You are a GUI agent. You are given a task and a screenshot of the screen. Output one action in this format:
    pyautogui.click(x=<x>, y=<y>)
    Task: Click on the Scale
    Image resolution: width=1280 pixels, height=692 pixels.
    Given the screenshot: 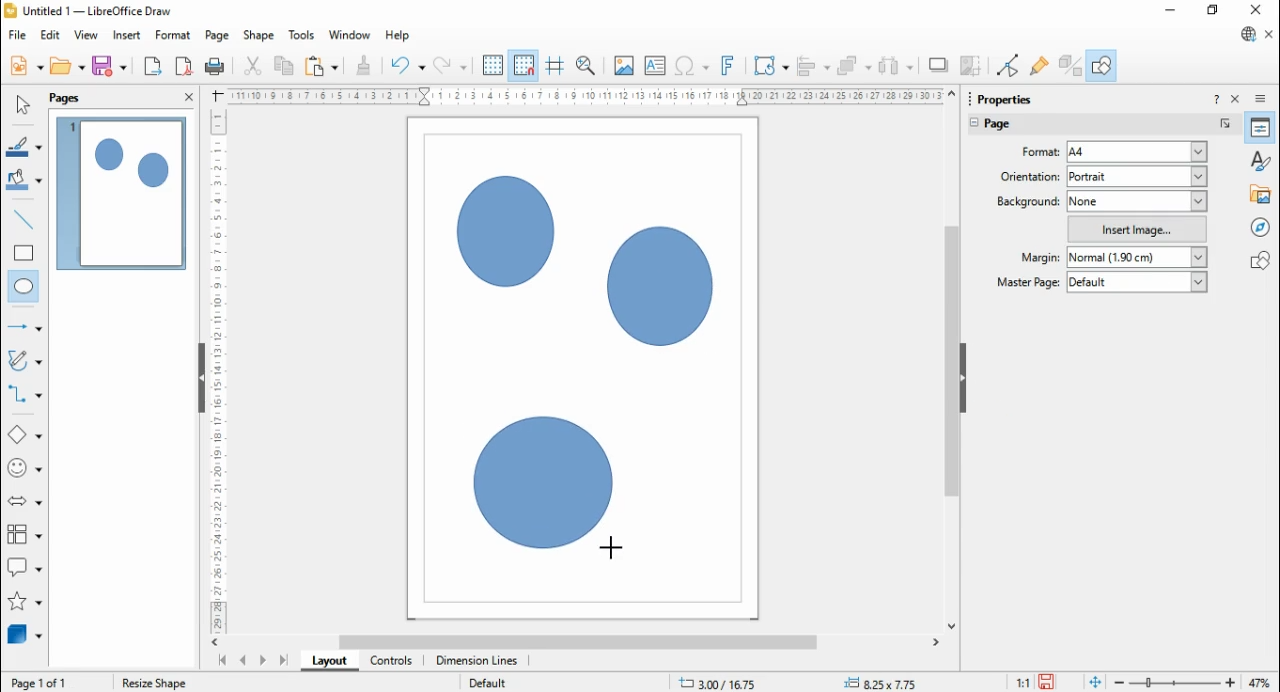 What is the action you would take?
    pyautogui.click(x=217, y=367)
    